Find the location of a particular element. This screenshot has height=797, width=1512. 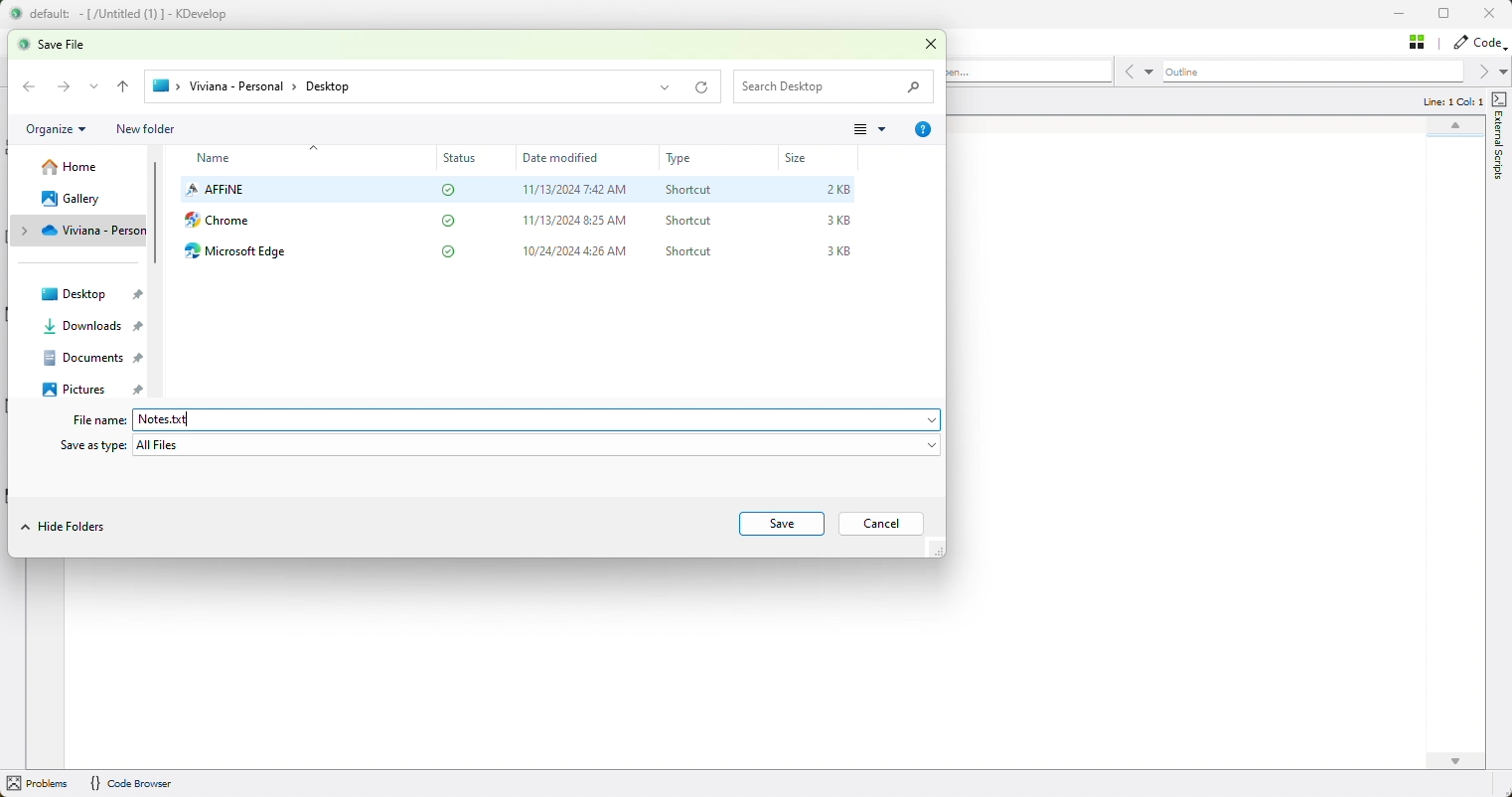

11/13/2024 8:25 AM is located at coordinates (573, 220).